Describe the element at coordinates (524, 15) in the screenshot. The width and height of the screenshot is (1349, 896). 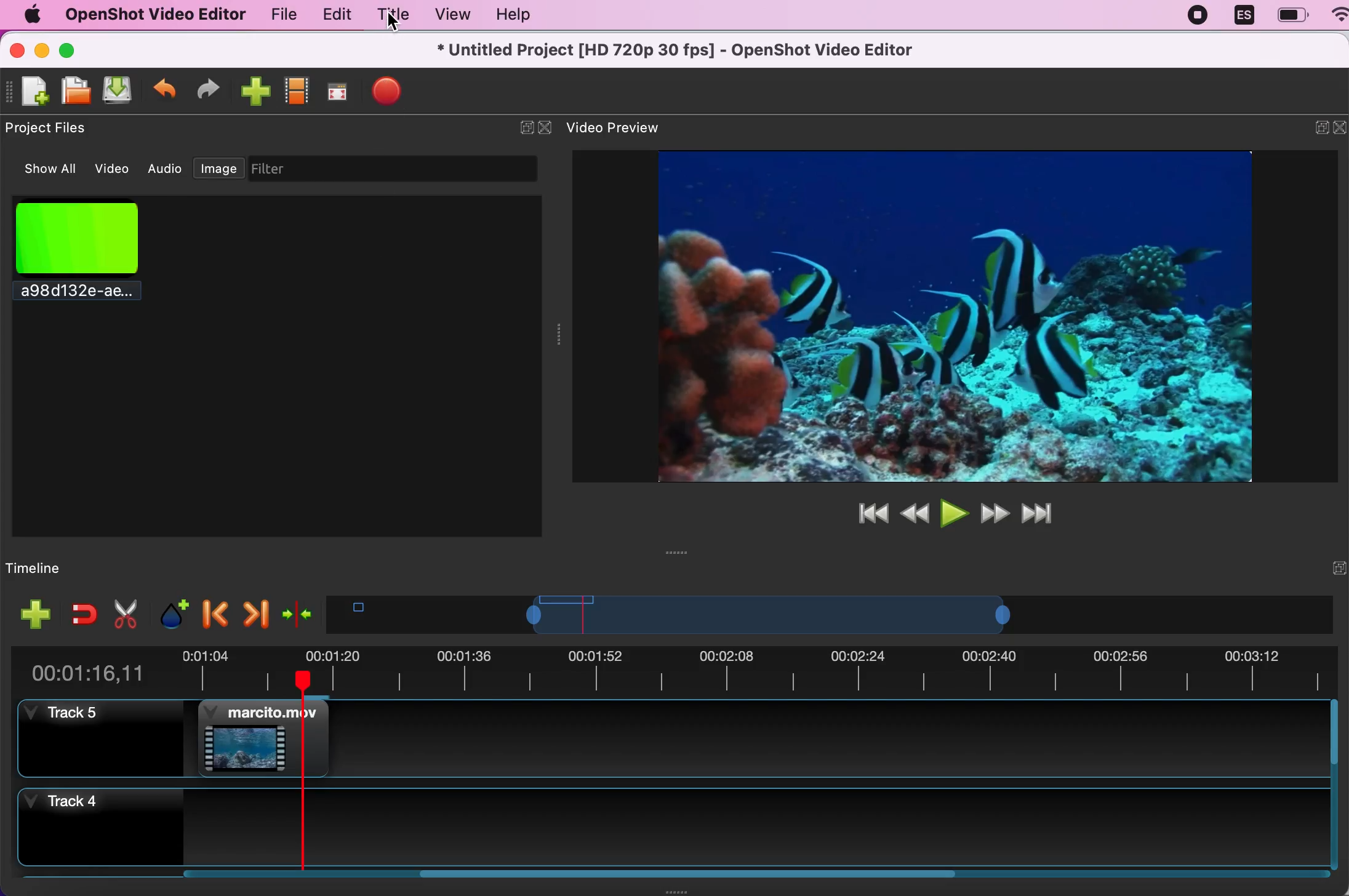
I see `help` at that location.